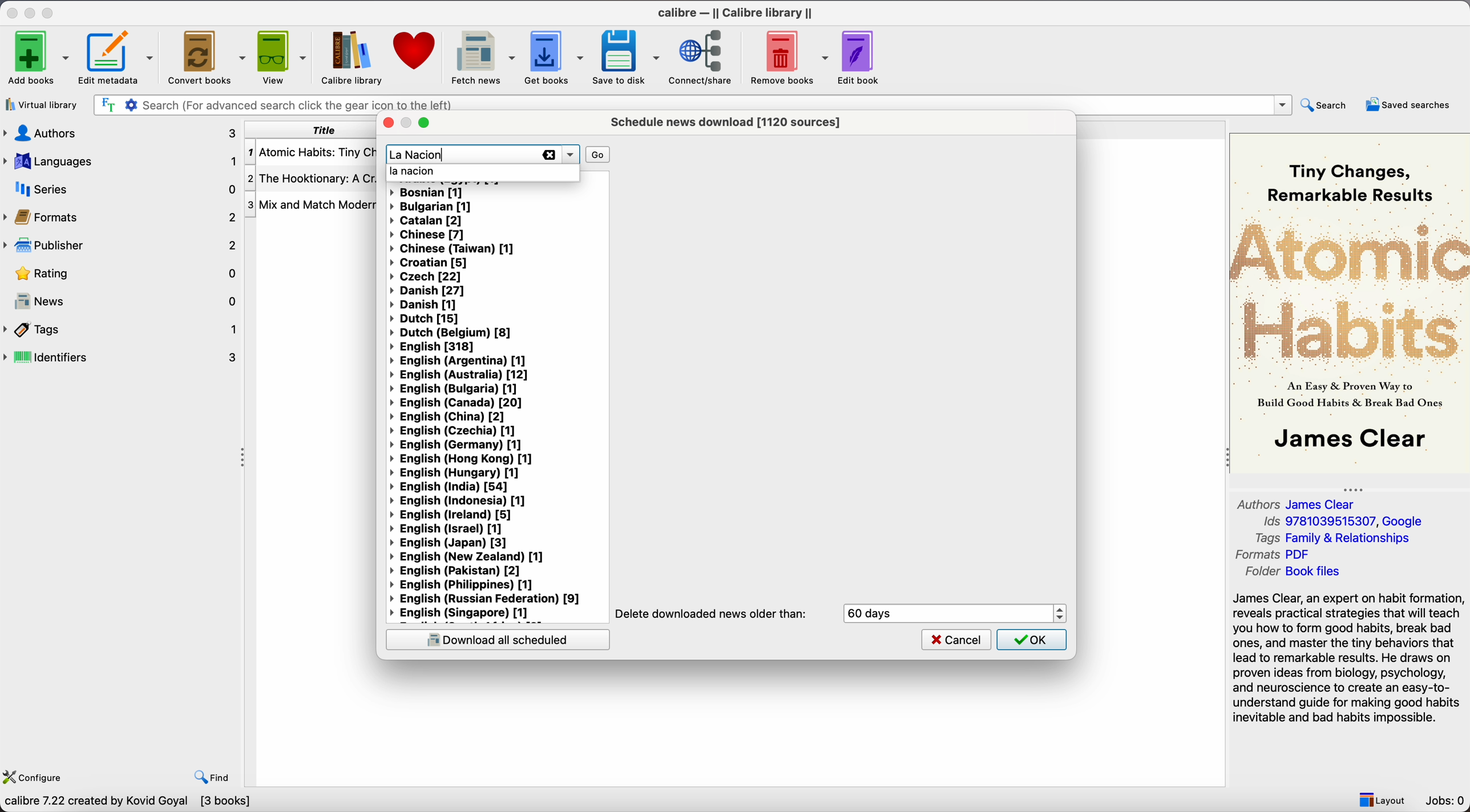  Describe the element at coordinates (1275, 555) in the screenshot. I see `Formats Pdf` at that location.